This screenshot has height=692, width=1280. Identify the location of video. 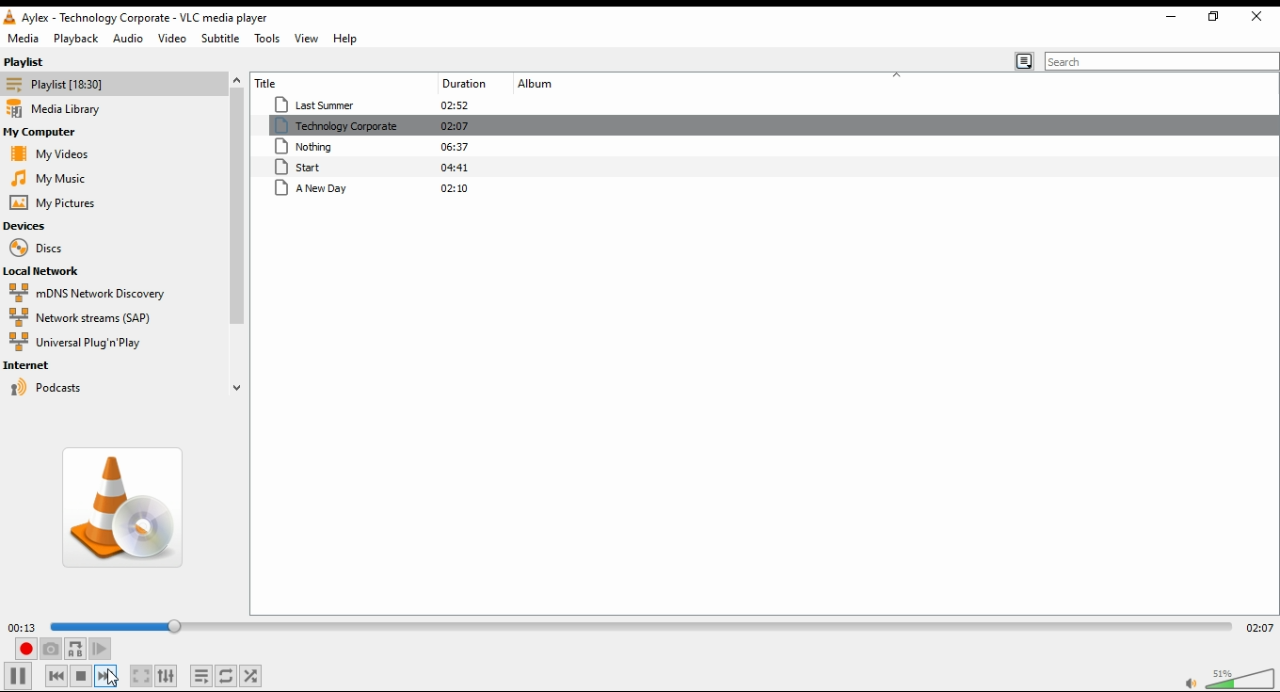
(176, 41).